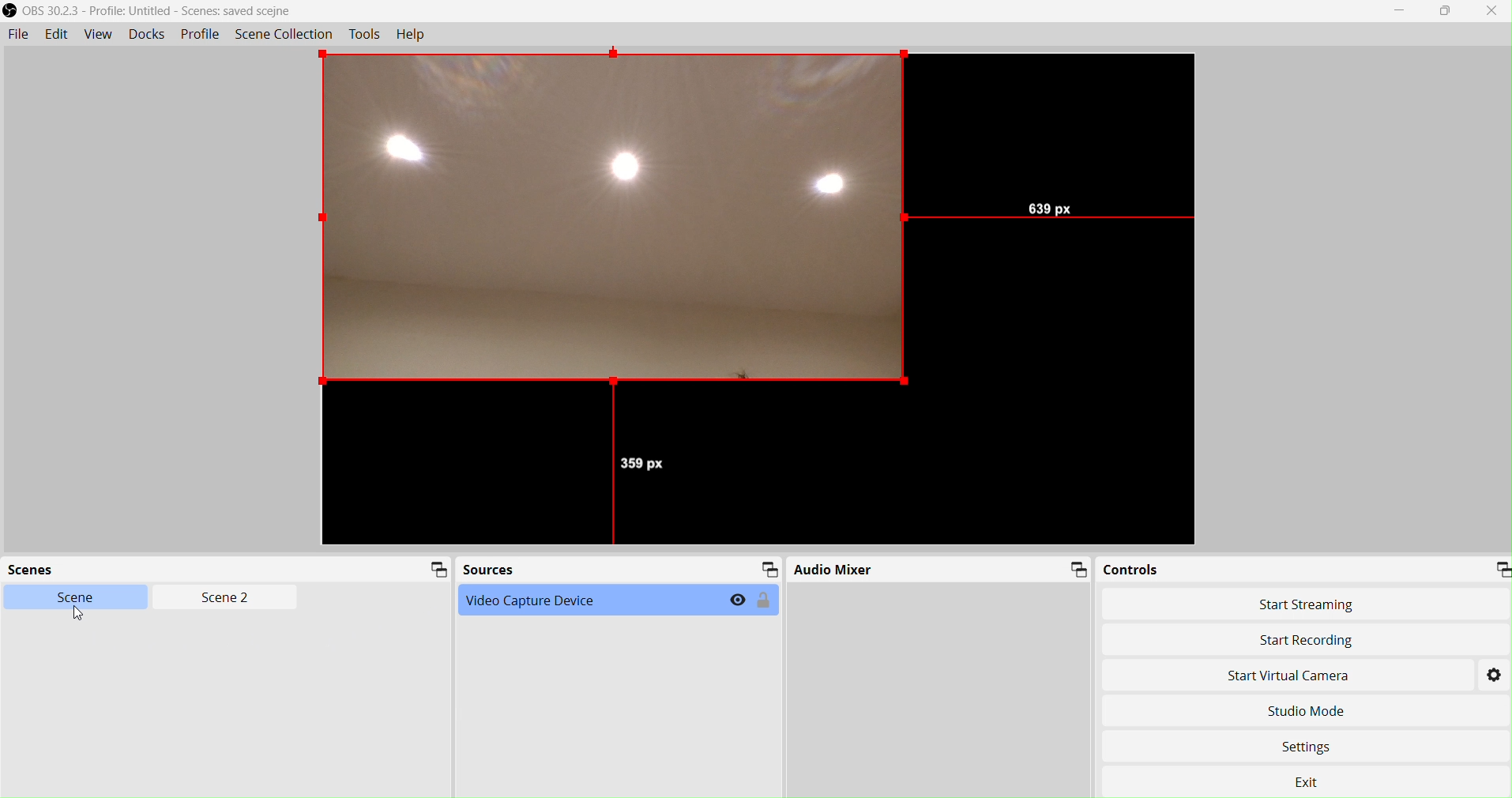 This screenshot has height=798, width=1512. I want to click on Tools, so click(366, 35).